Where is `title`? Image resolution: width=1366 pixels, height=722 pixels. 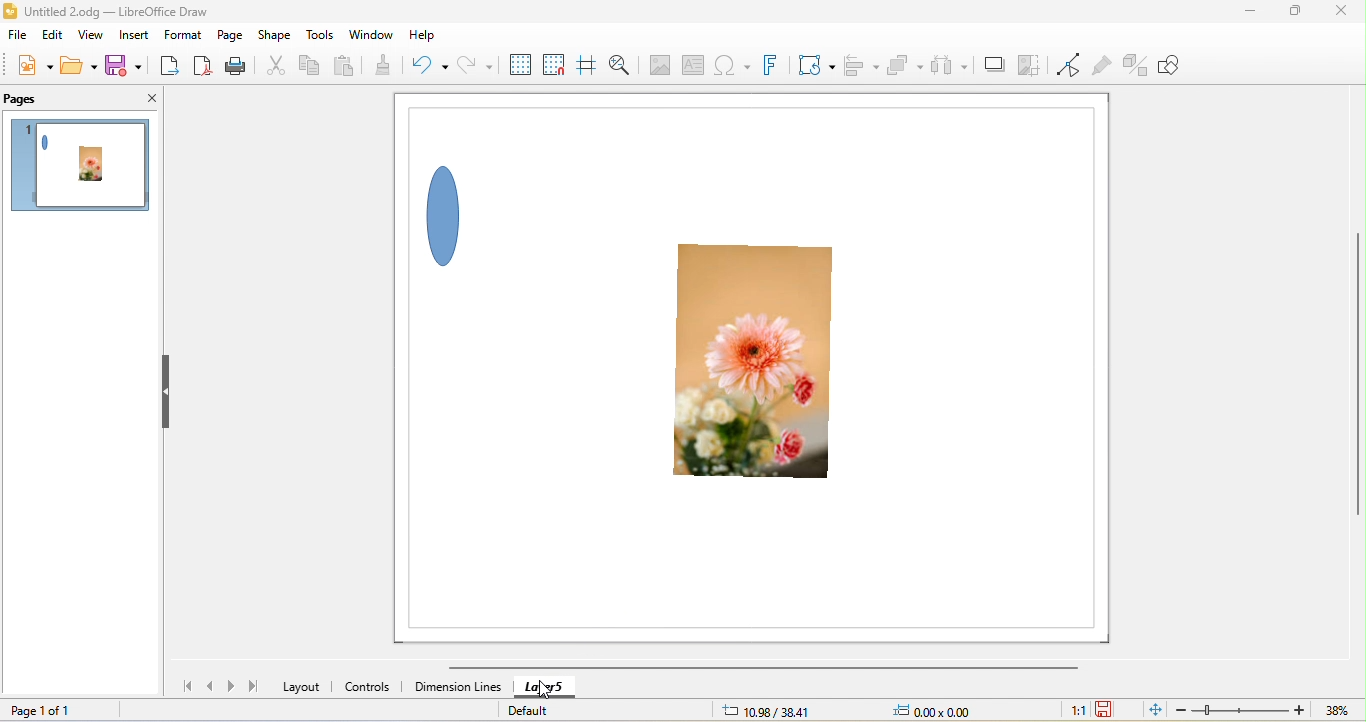 title is located at coordinates (118, 11).